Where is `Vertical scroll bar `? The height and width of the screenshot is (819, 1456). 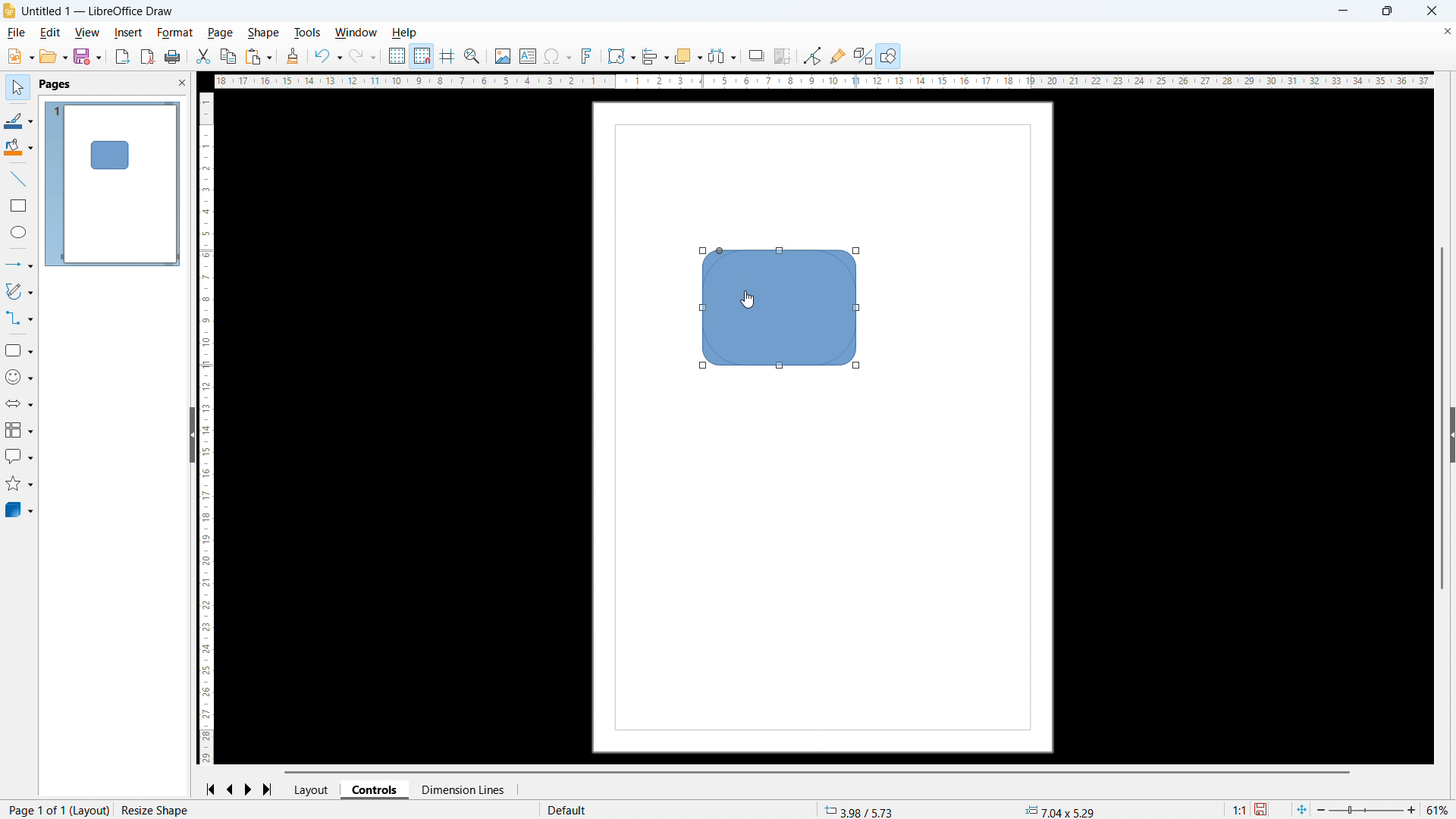 Vertical scroll bar  is located at coordinates (1442, 418).